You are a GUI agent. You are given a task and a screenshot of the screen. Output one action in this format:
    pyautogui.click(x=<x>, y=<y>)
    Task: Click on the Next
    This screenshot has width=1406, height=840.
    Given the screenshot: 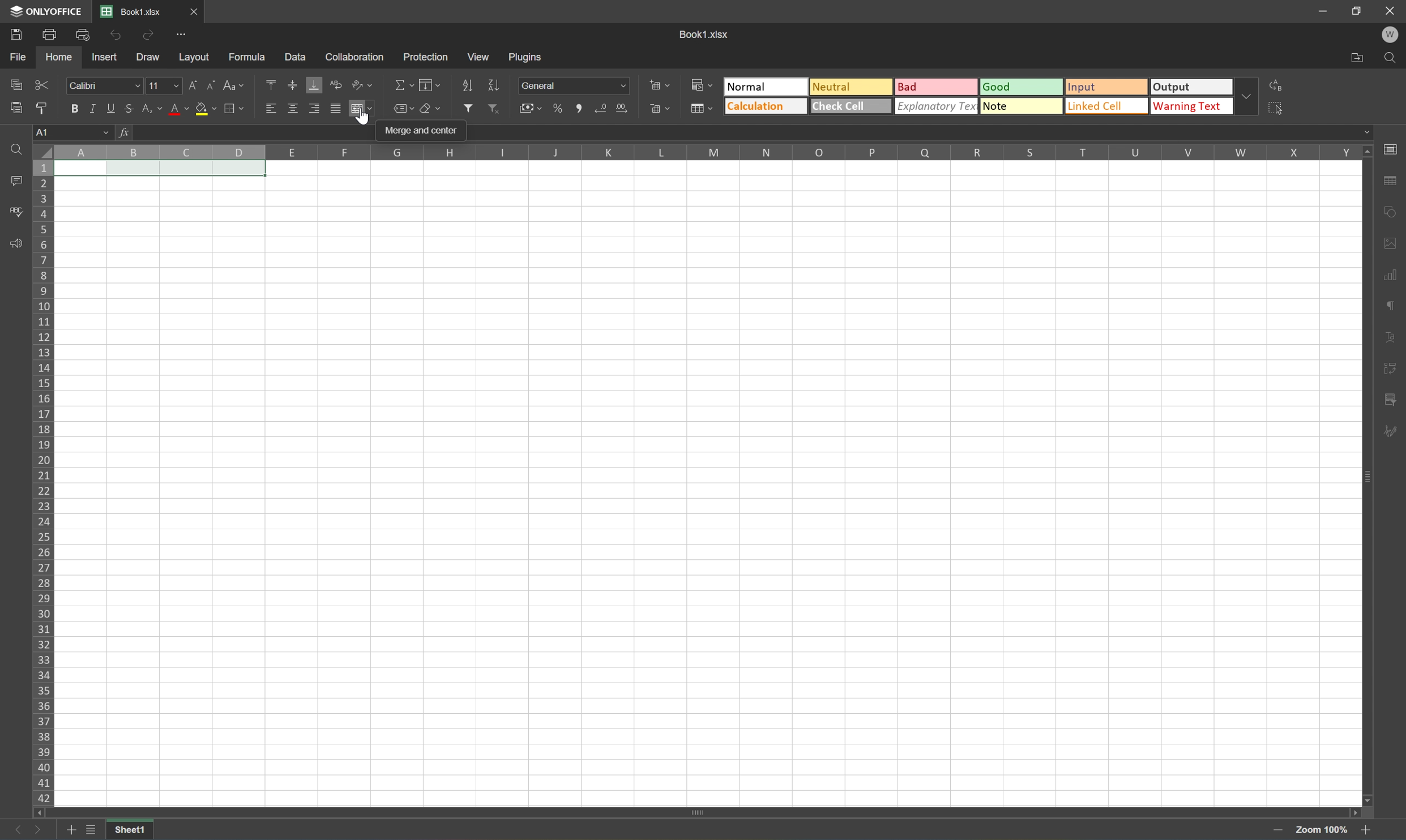 What is the action you would take?
    pyautogui.click(x=39, y=830)
    